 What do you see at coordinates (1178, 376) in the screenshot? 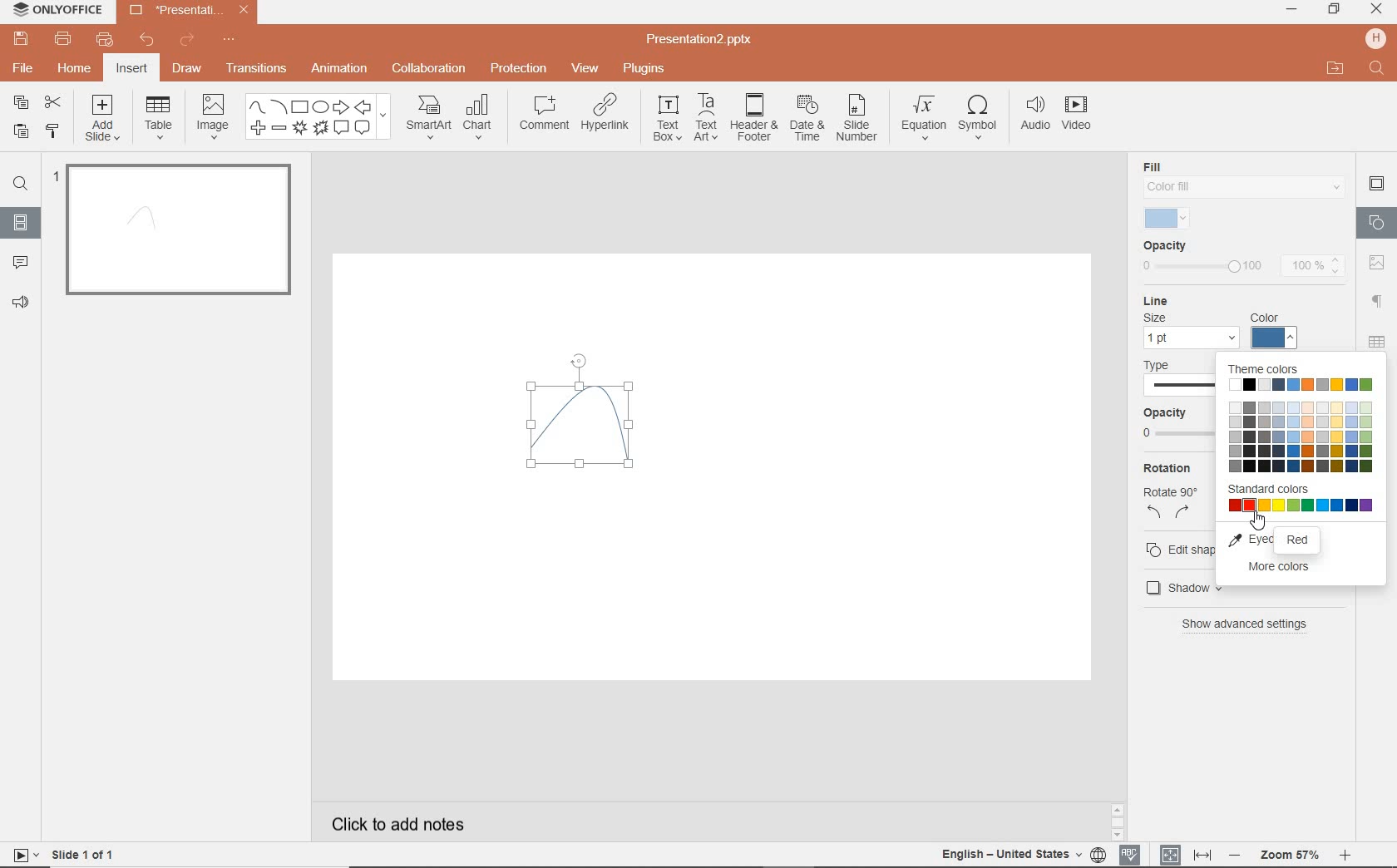
I see `type` at bounding box center [1178, 376].